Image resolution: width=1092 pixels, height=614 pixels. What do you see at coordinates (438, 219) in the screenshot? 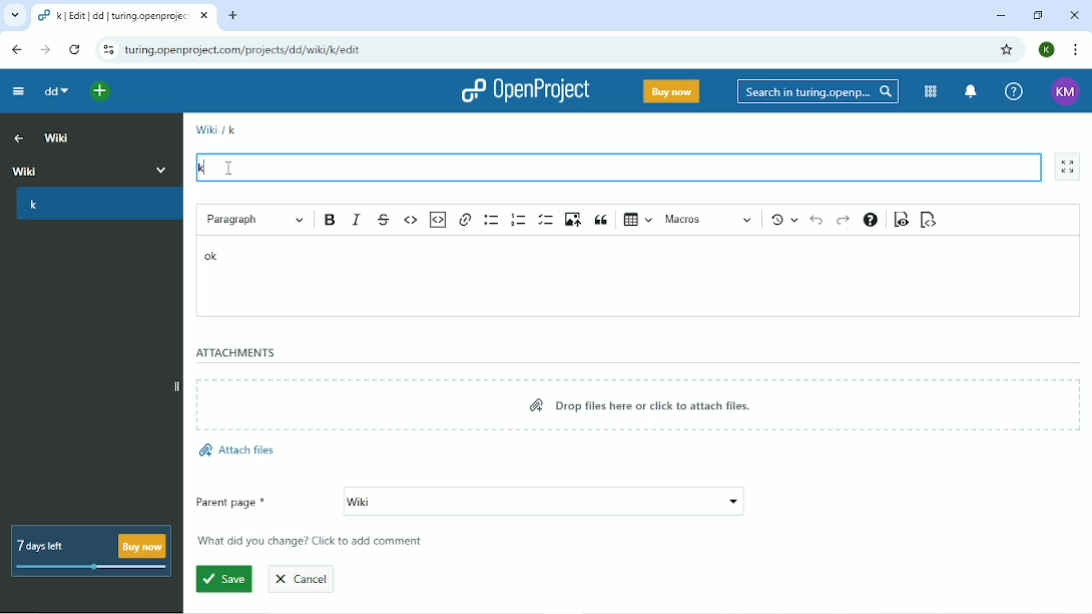
I see `Insert code snippet` at bounding box center [438, 219].